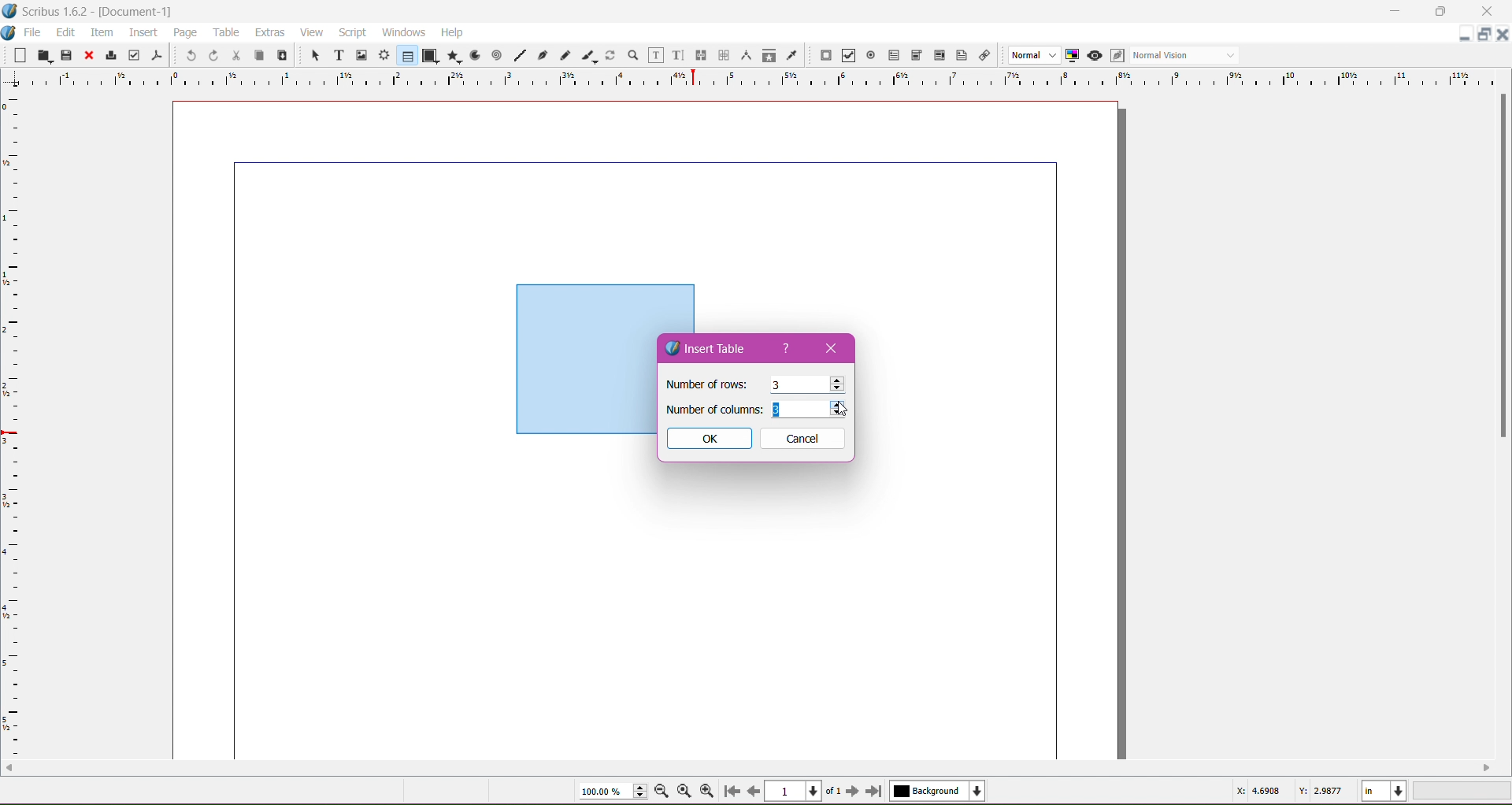 This screenshot has height=805, width=1512. Describe the element at coordinates (102, 32) in the screenshot. I see `Item` at that location.